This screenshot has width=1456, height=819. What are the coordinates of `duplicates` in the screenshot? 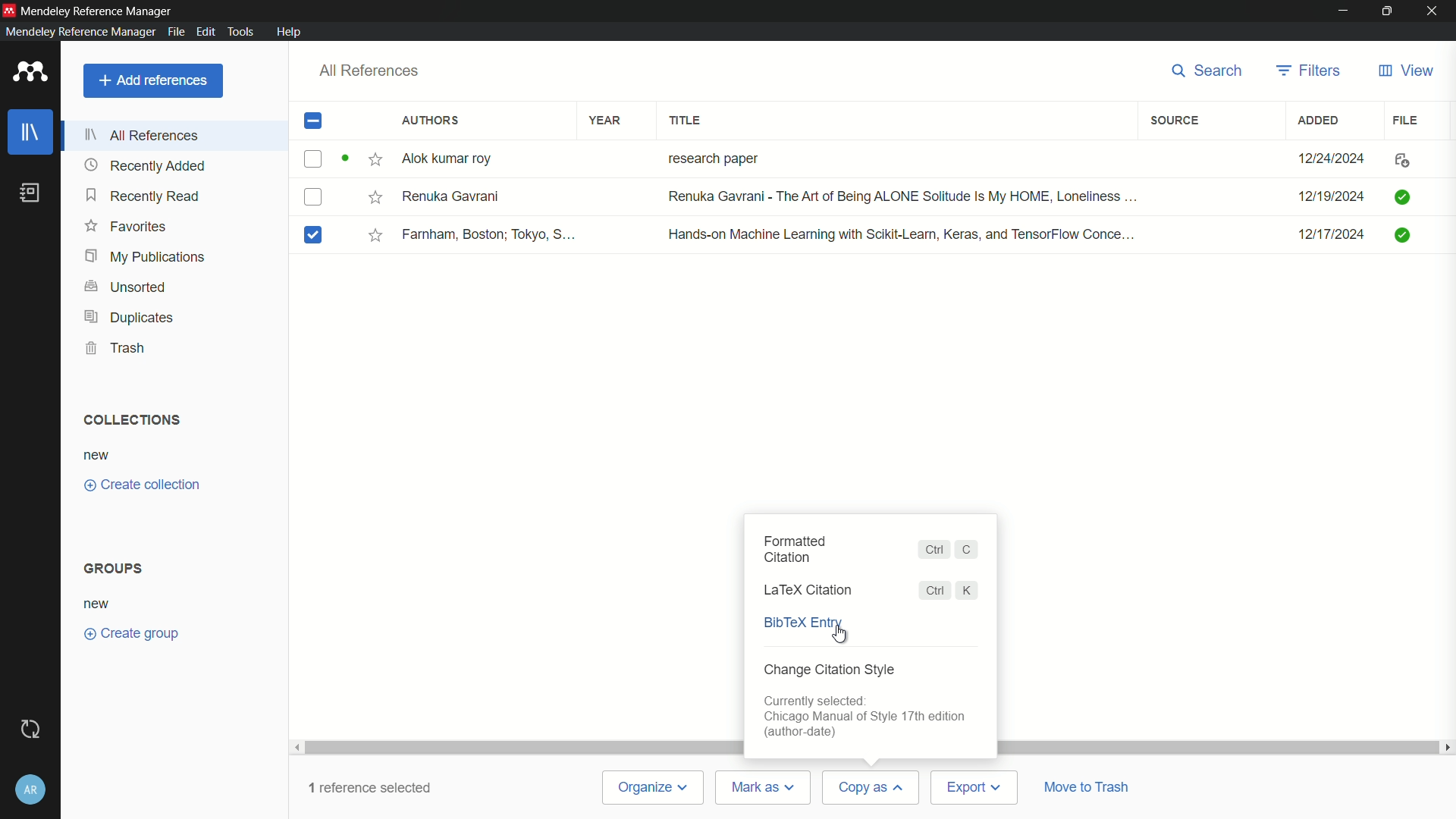 It's located at (127, 317).